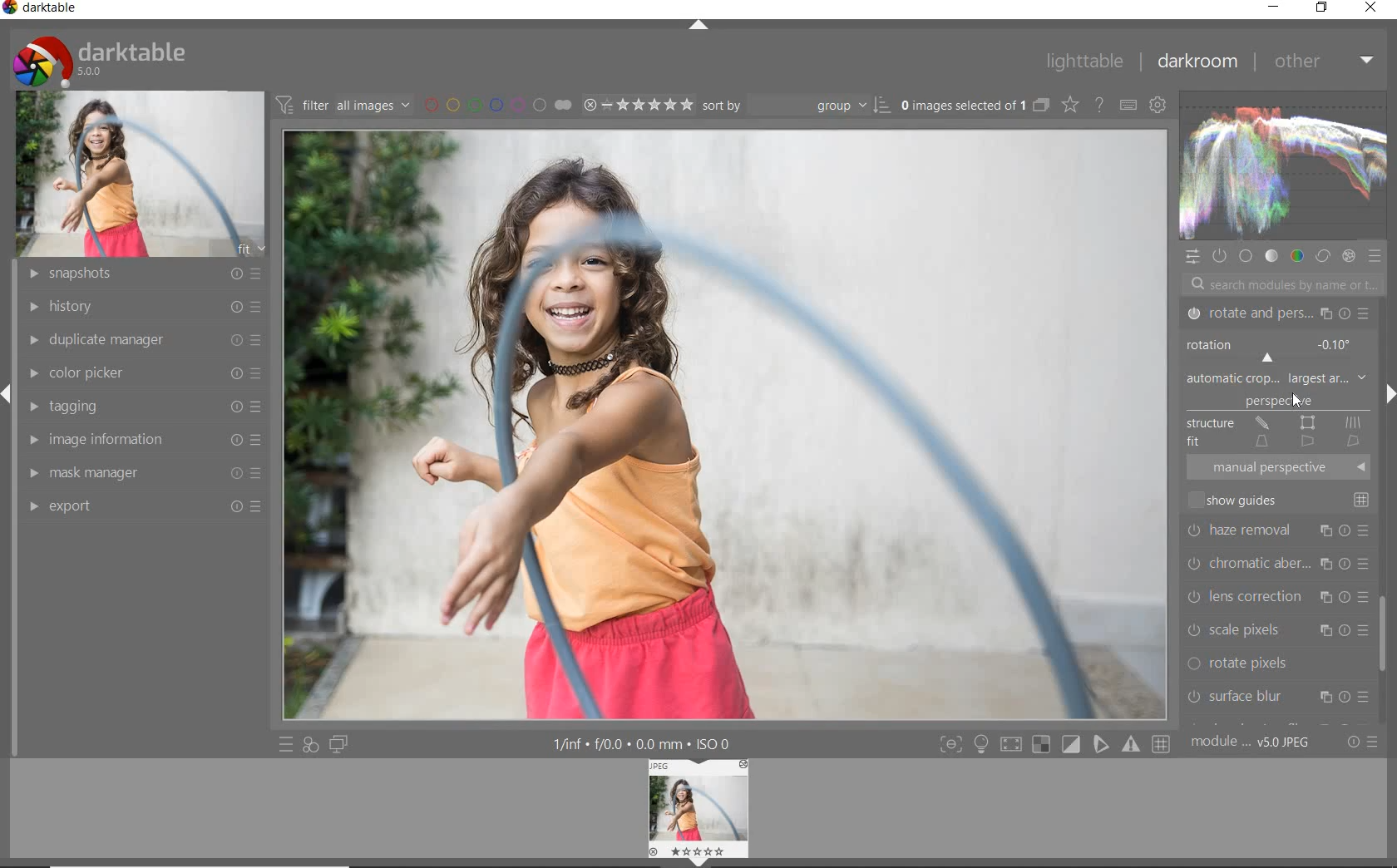 This screenshot has height=868, width=1397. Describe the element at coordinates (140, 175) in the screenshot. I see `image` at that location.